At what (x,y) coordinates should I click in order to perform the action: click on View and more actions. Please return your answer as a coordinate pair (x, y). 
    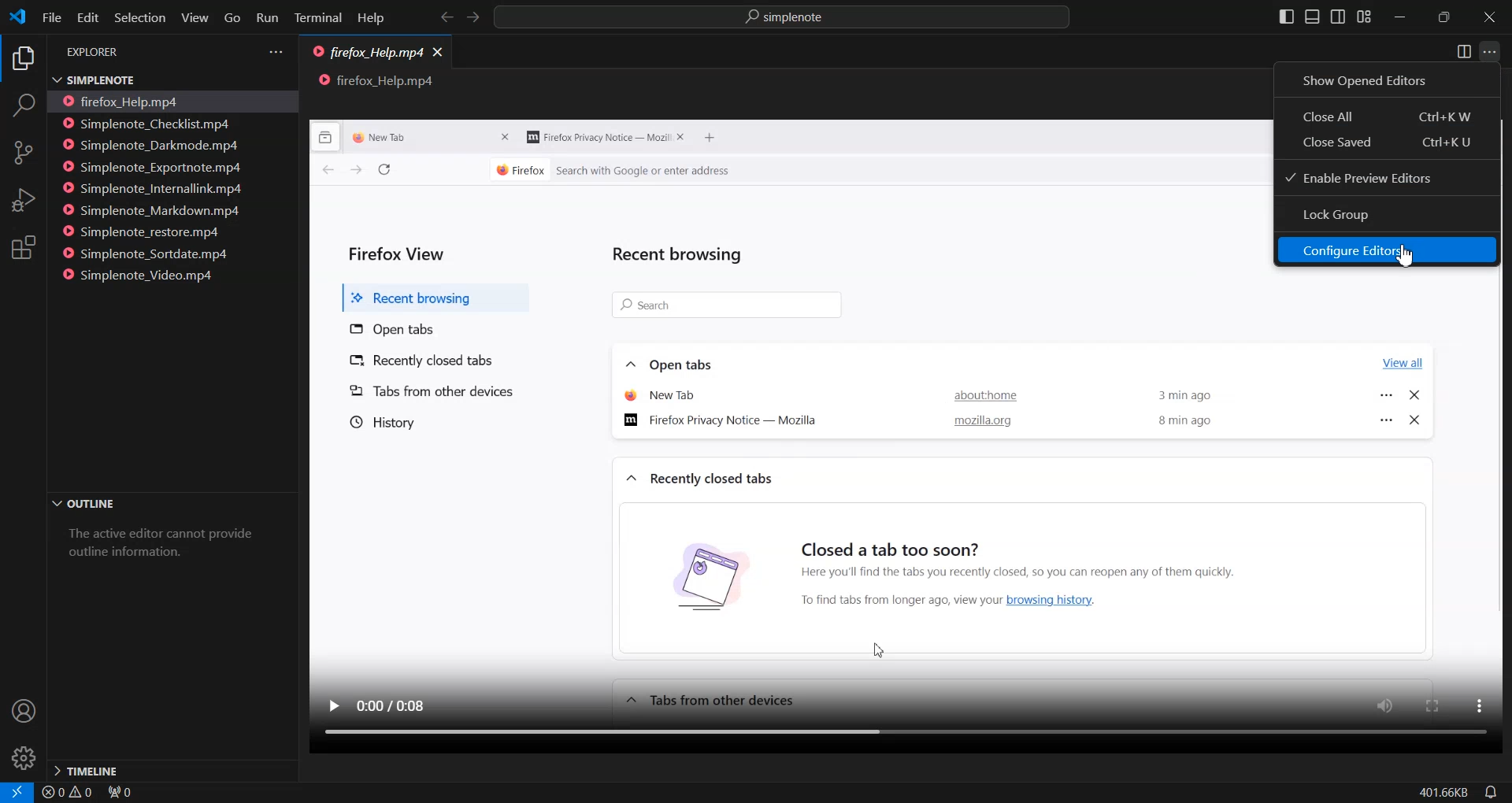
    Looking at the image, I should click on (276, 52).